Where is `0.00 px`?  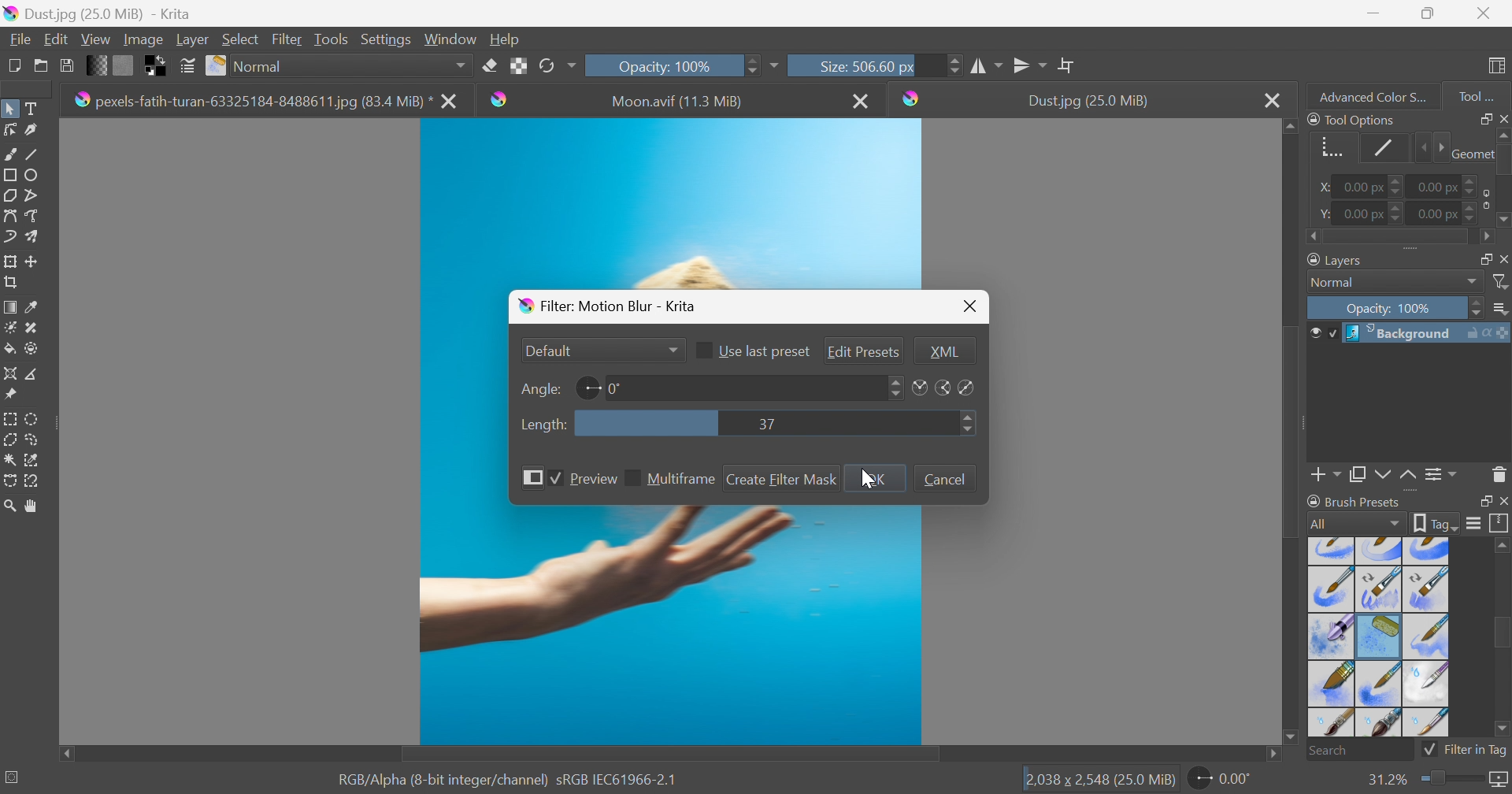 0.00 px is located at coordinates (1436, 214).